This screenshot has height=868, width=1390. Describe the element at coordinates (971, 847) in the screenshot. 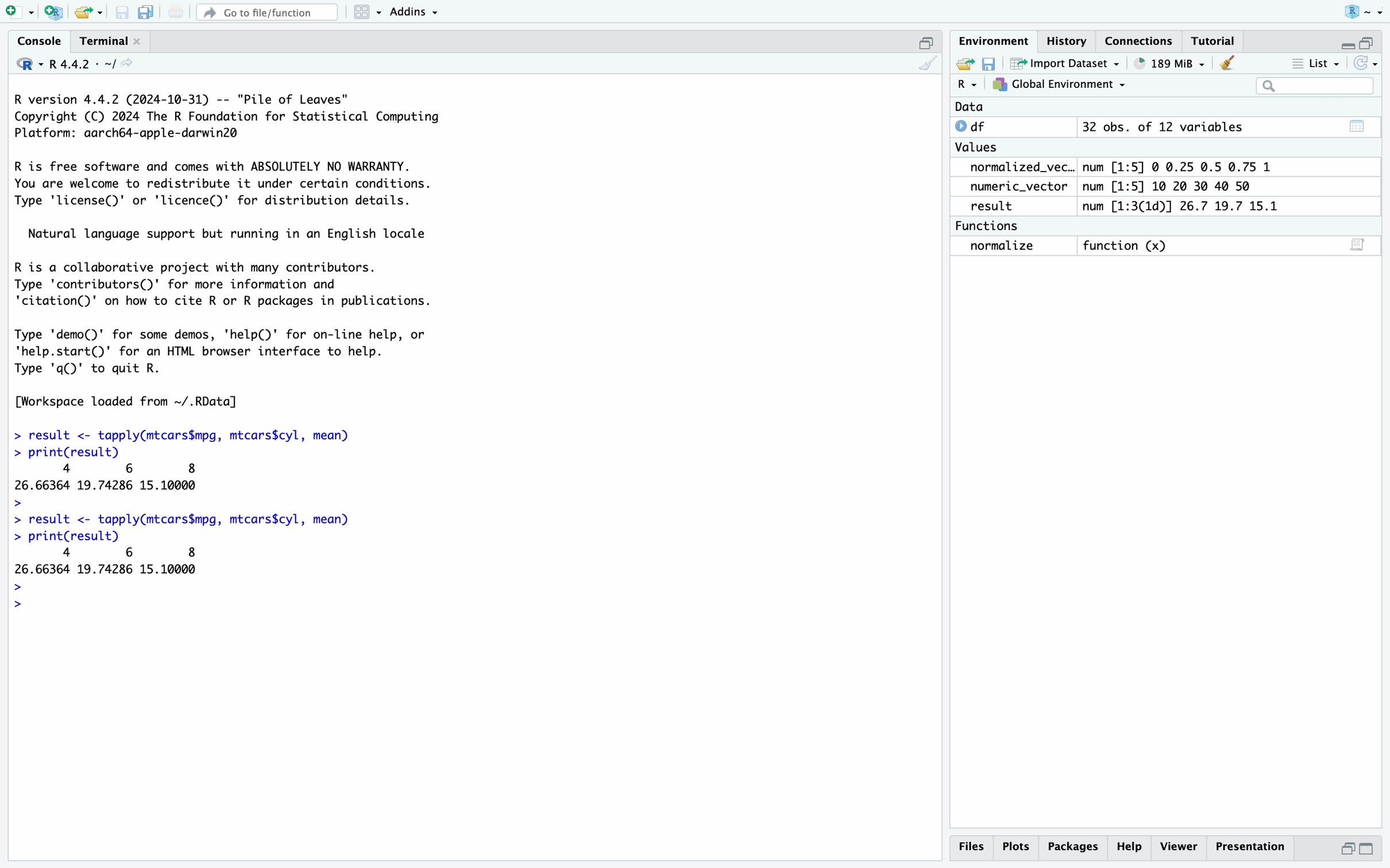

I see `Files` at that location.